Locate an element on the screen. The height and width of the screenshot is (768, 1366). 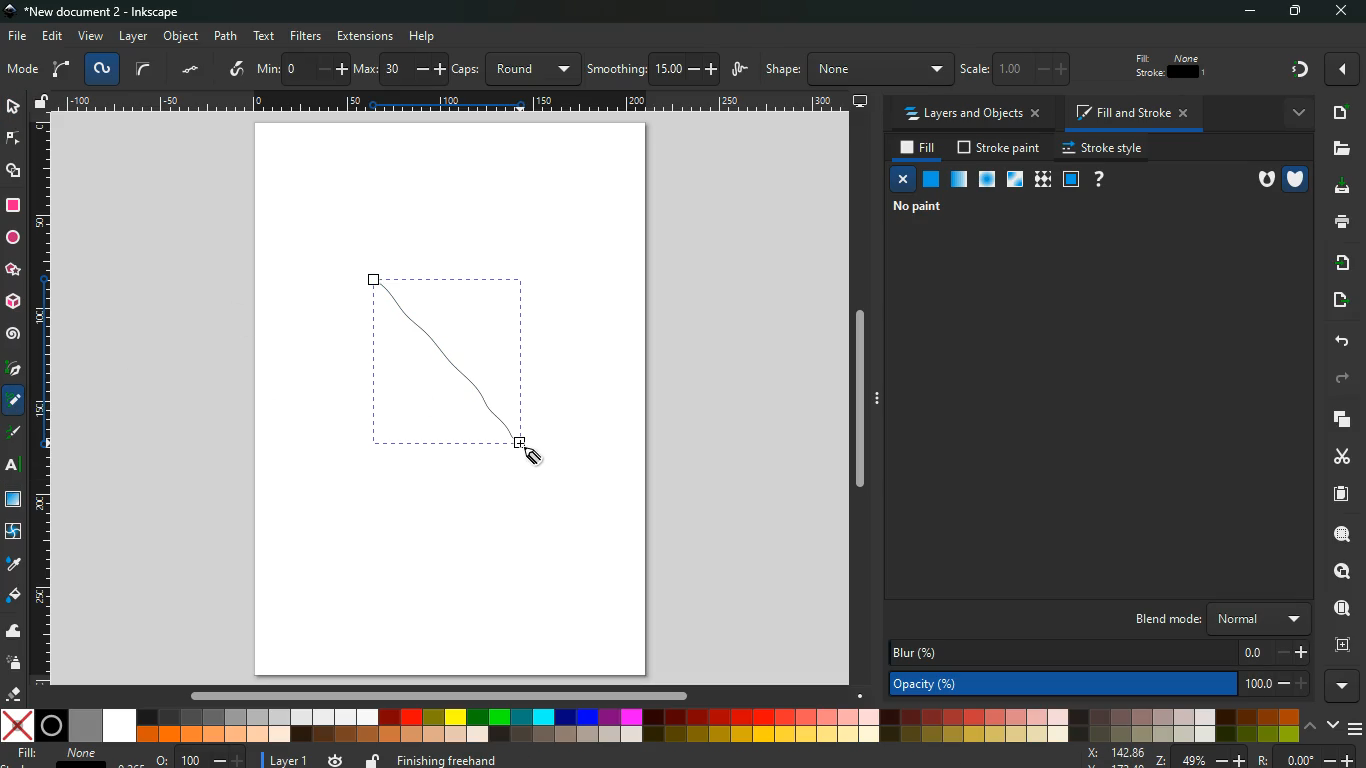
hole is located at coordinates (1258, 177).